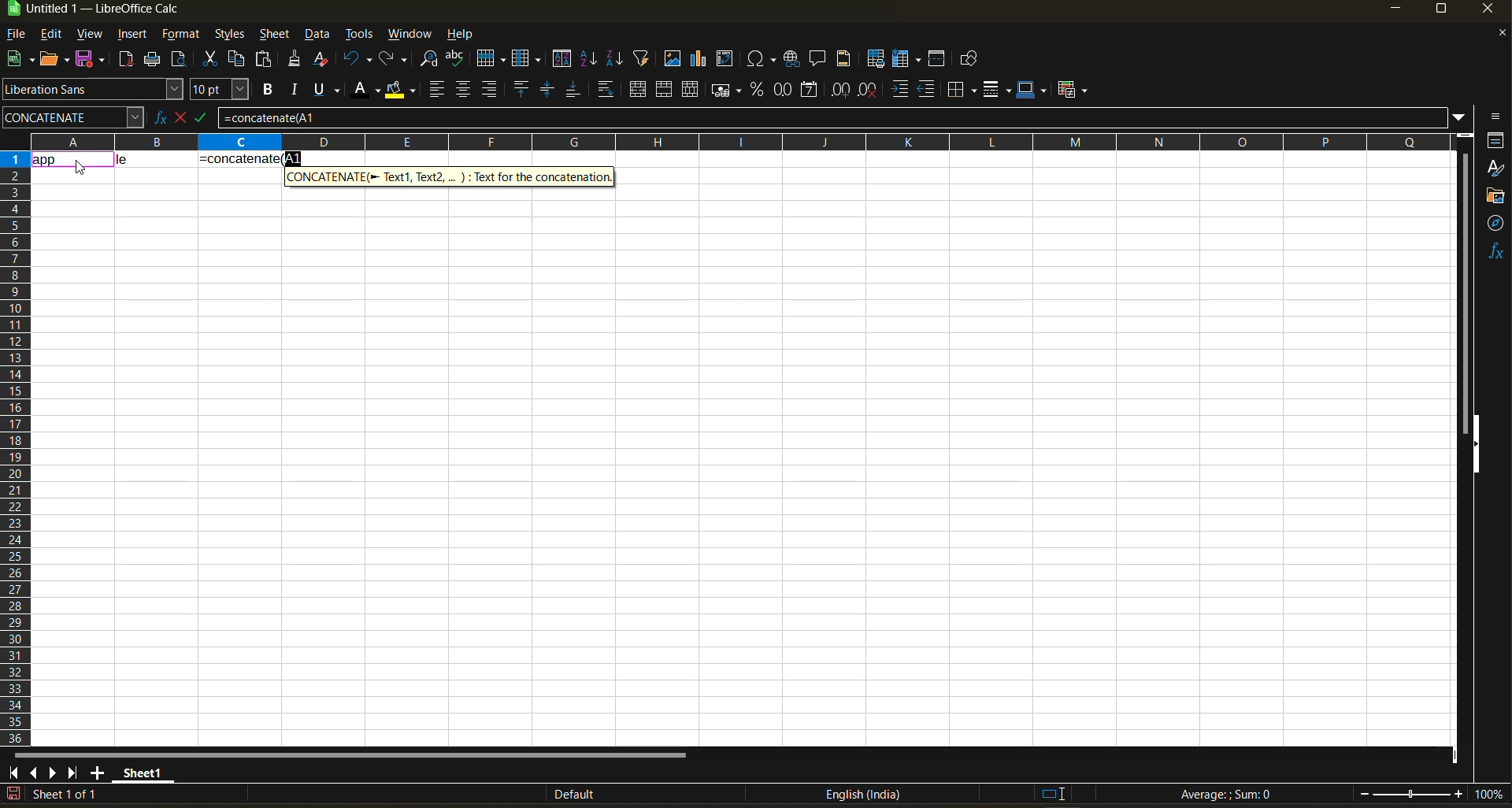 The image size is (1512, 808). What do you see at coordinates (1459, 116) in the screenshot?
I see `expand formula bar` at bounding box center [1459, 116].